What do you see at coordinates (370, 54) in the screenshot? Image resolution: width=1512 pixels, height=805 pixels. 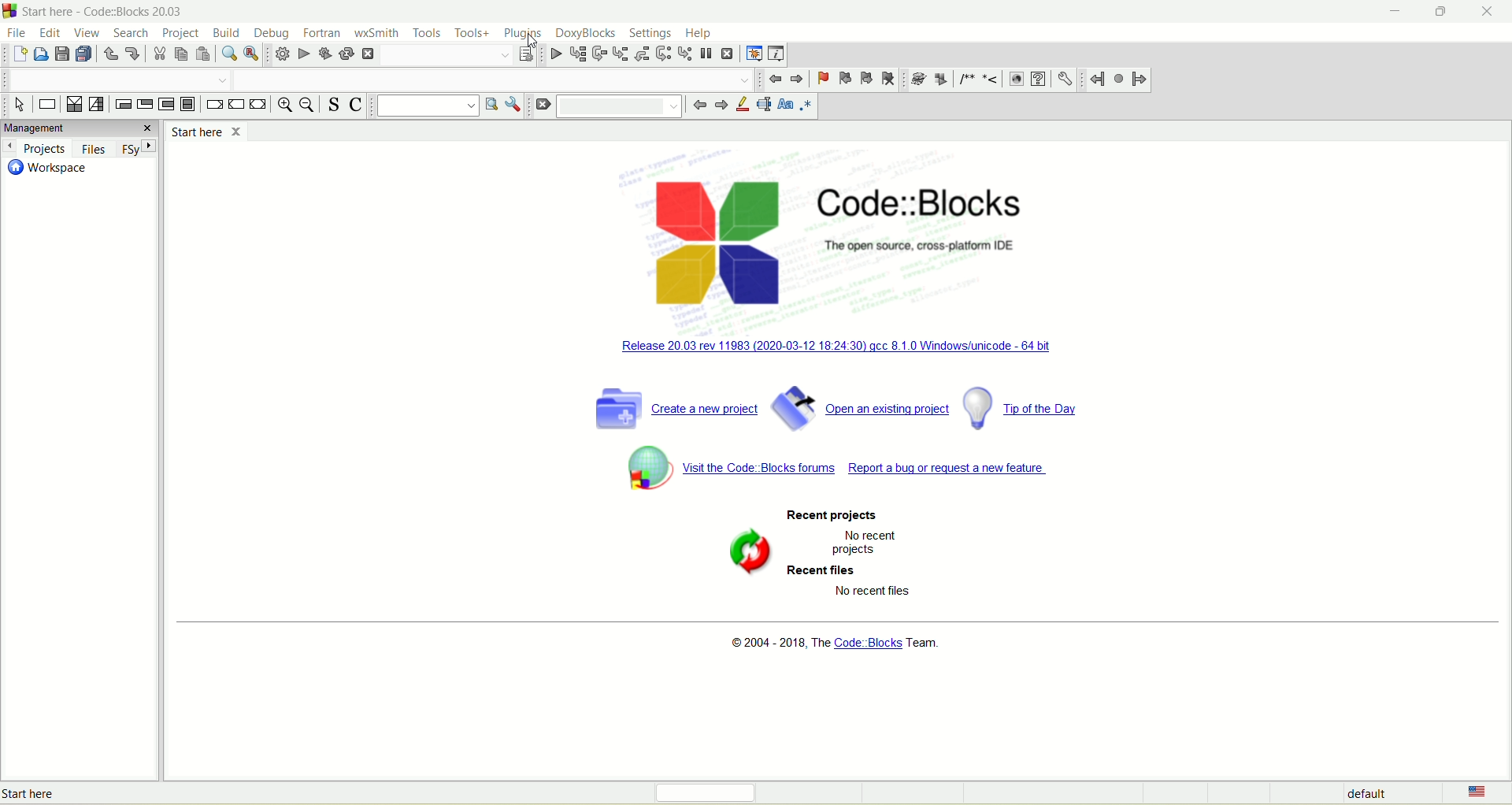 I see `abort` at bounding box center [370, 54].